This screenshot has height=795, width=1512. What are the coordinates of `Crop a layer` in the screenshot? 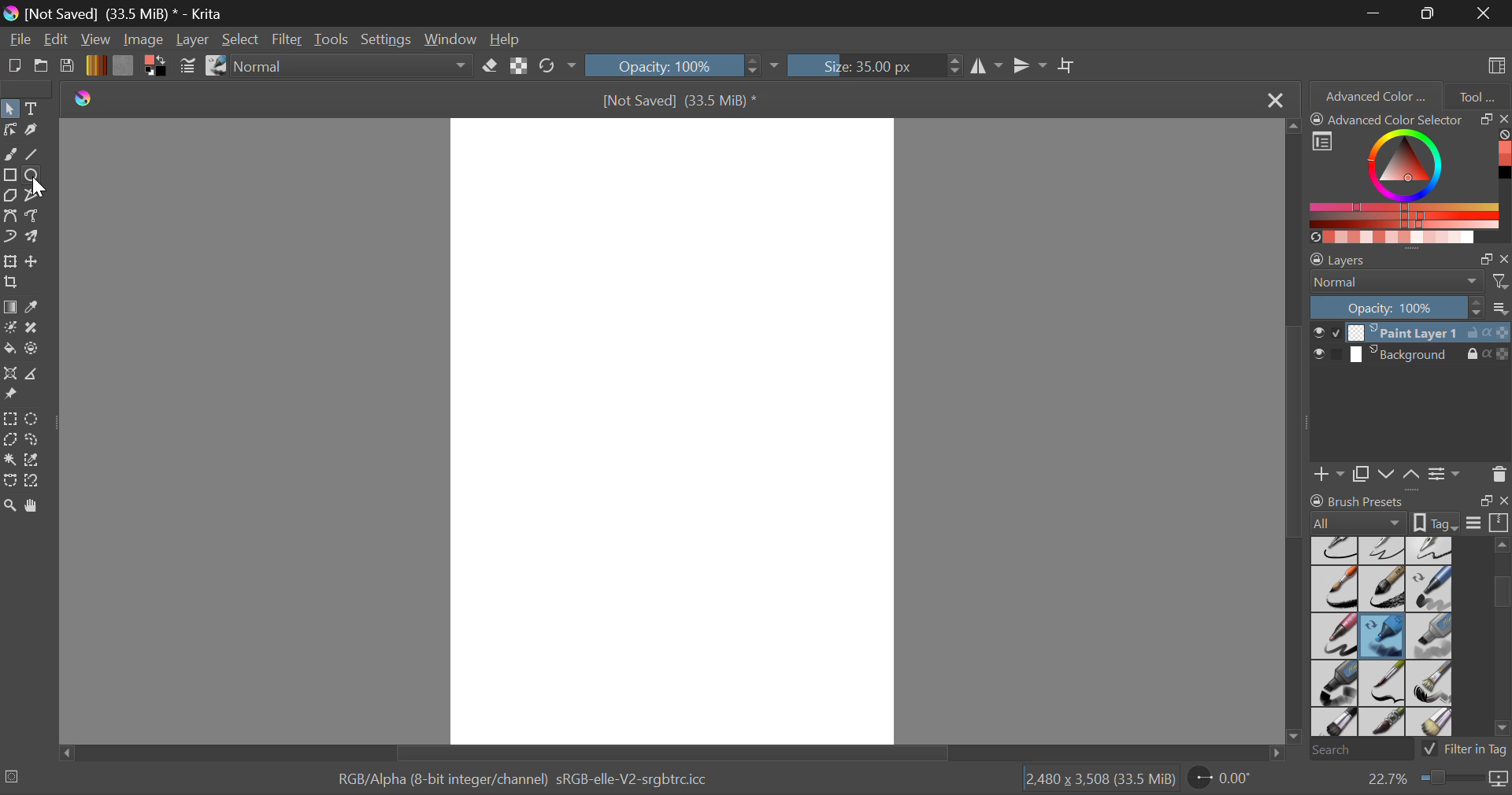 It's located at (11, 284).